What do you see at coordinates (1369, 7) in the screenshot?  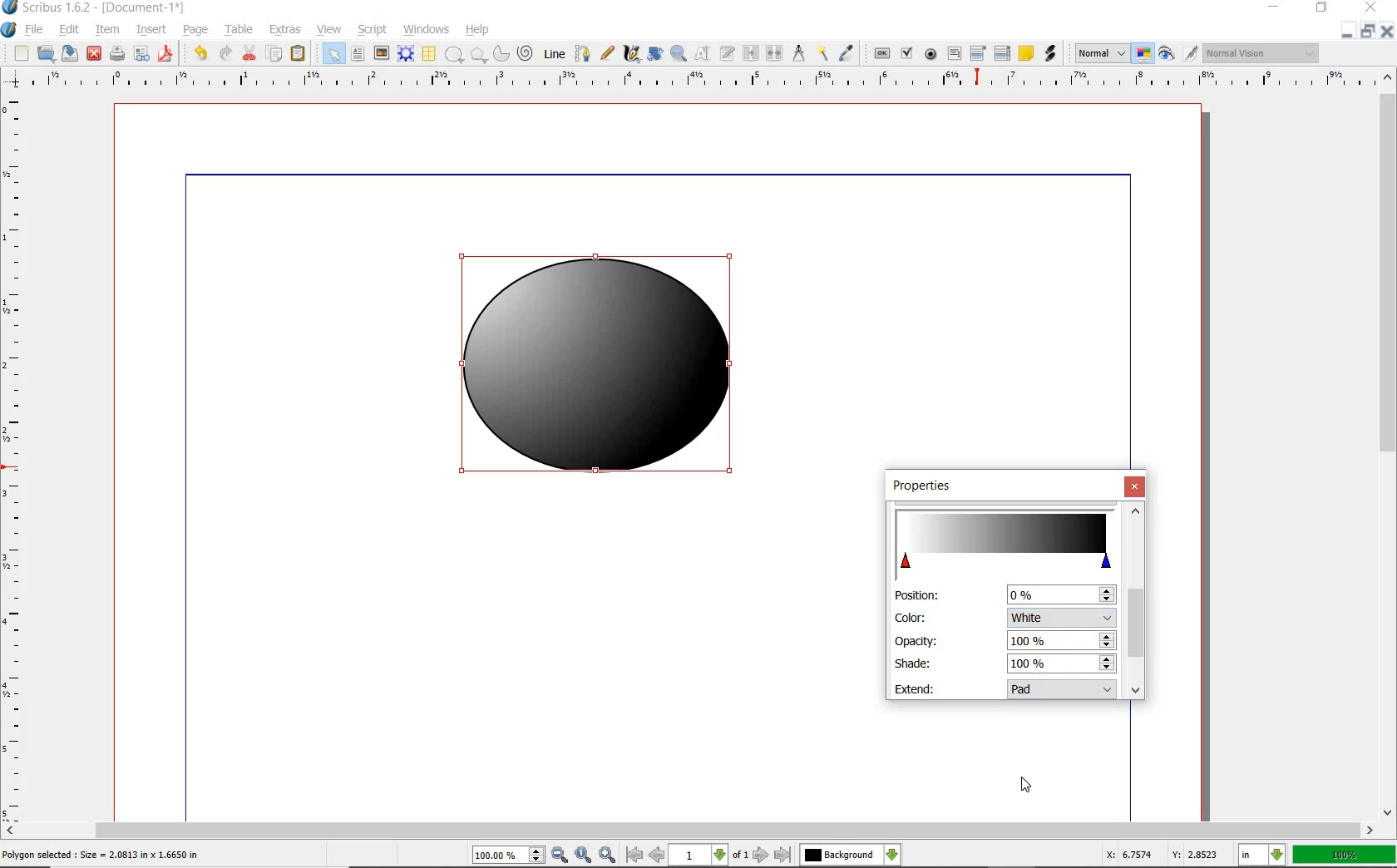 I see `CLOSE` at bounding box center [1369, 7].